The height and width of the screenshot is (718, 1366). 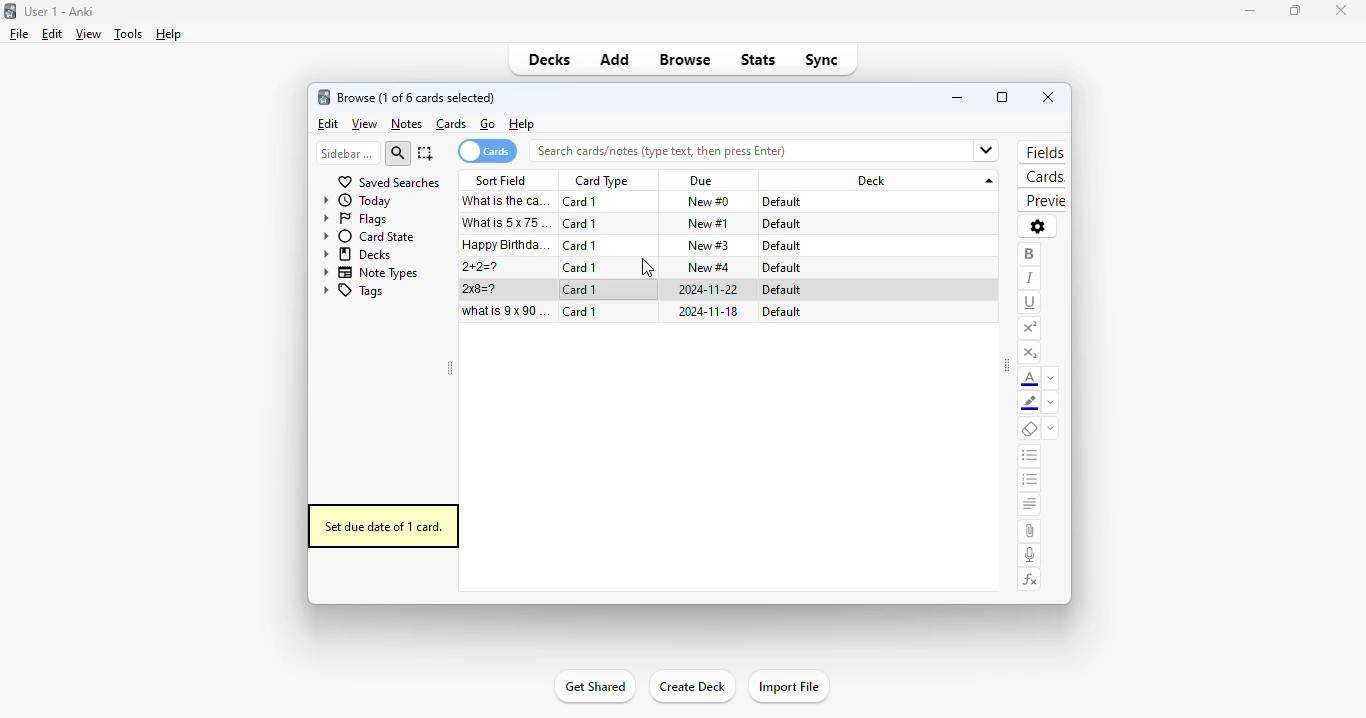 I want to click on deck, so click(x=882, y=180).